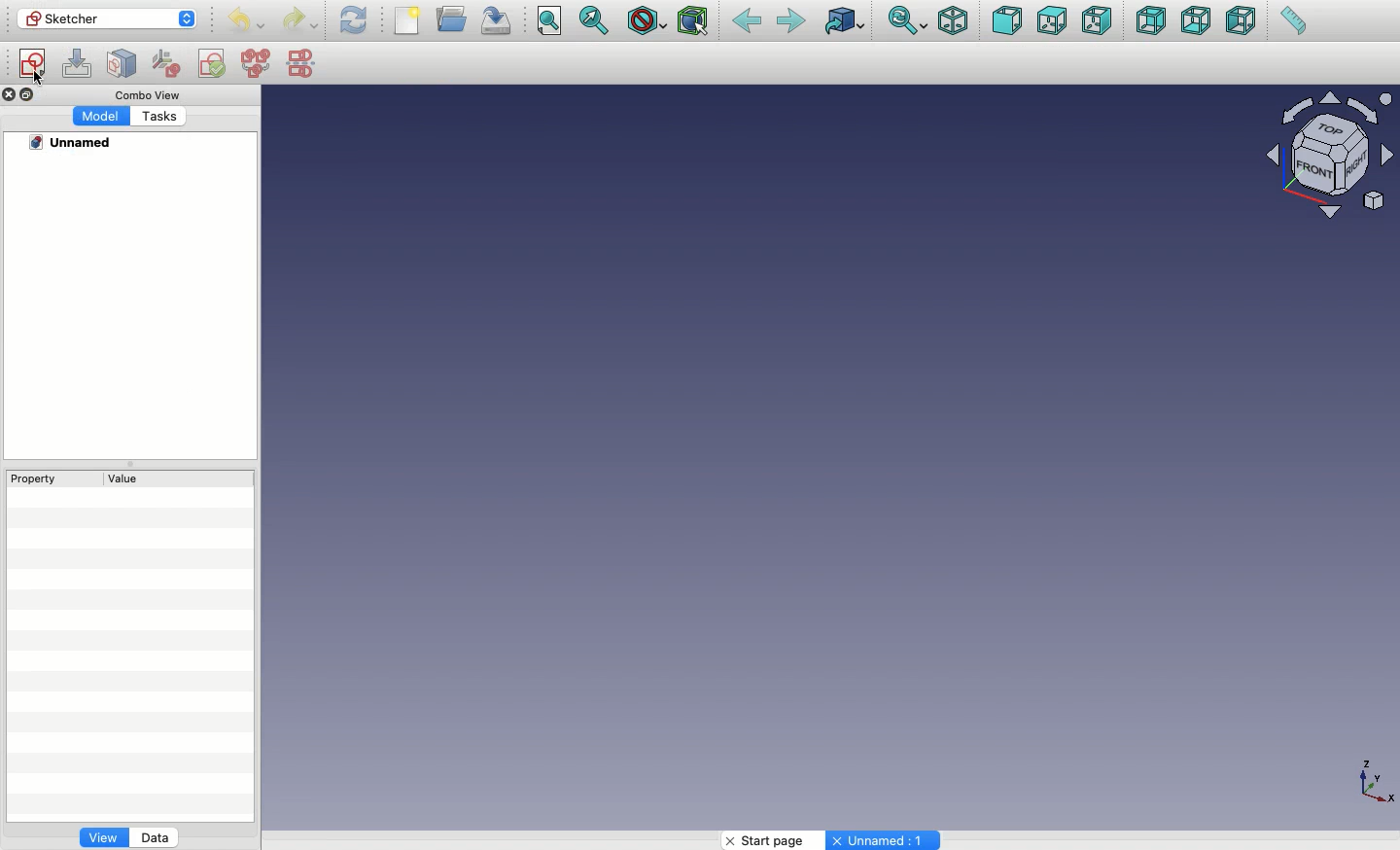  What do you see at coordinates (122, 64) in the screenshot?
I see `Map sketch to face` at bounding box center [122, 64].